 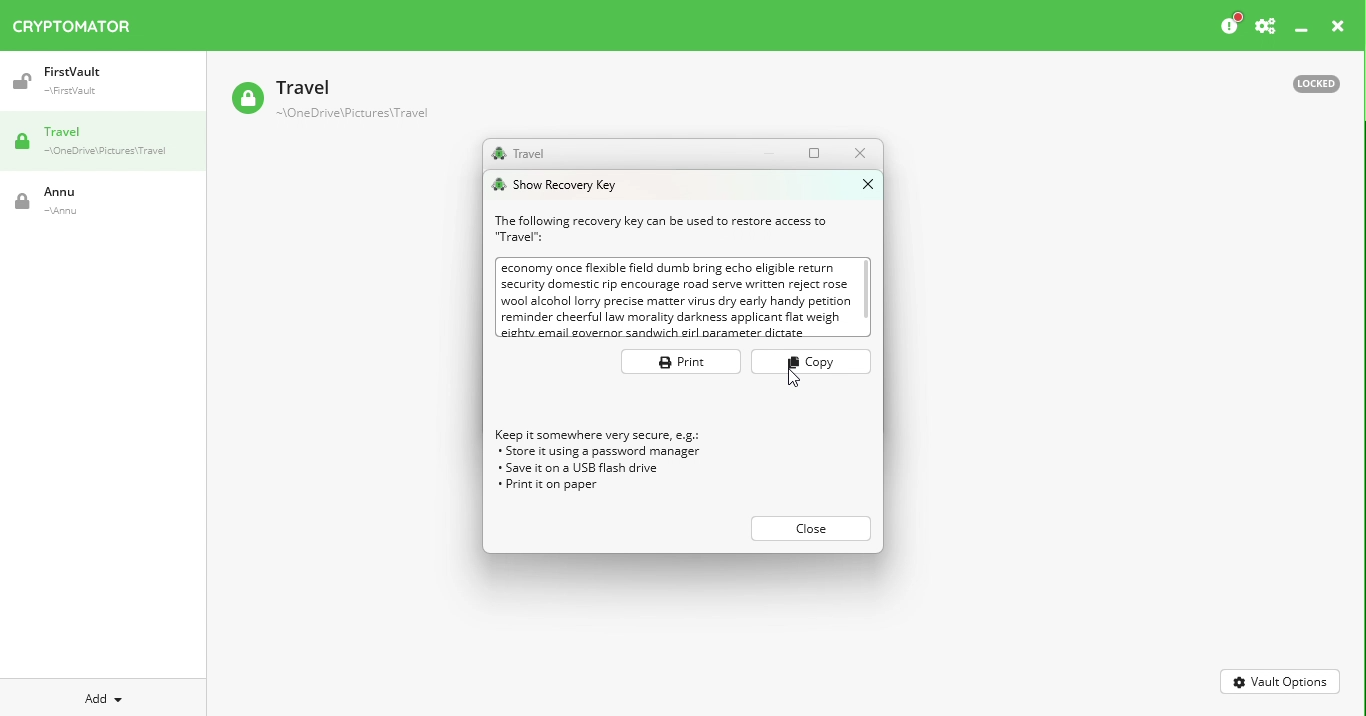 I want to click on Minimize, so click(x=774, y=153).